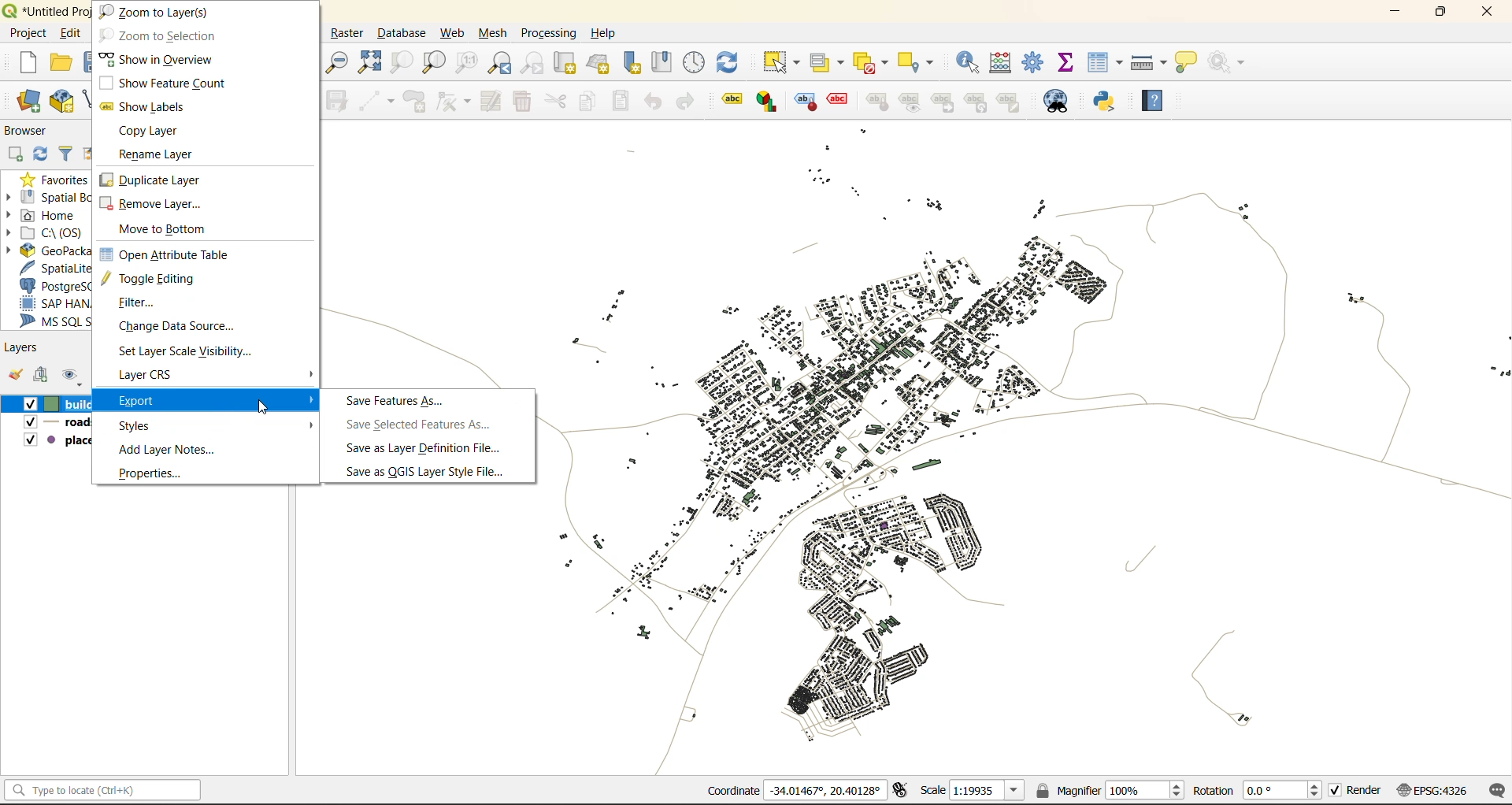  What do you see at coordinates (1068, 62) in the screenshot?
I see `statistical summary` at bounding box center [1068, 62].